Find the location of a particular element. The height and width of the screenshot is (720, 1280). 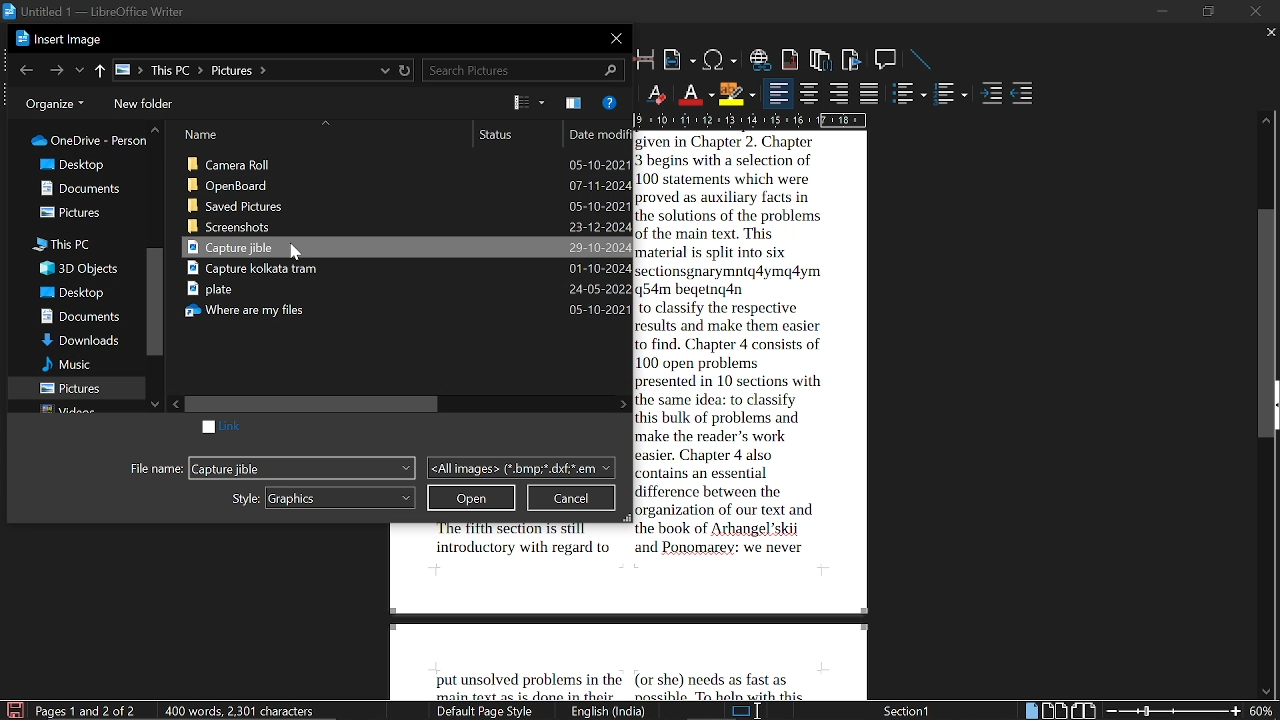

justified is located at coordinates (870, 94).